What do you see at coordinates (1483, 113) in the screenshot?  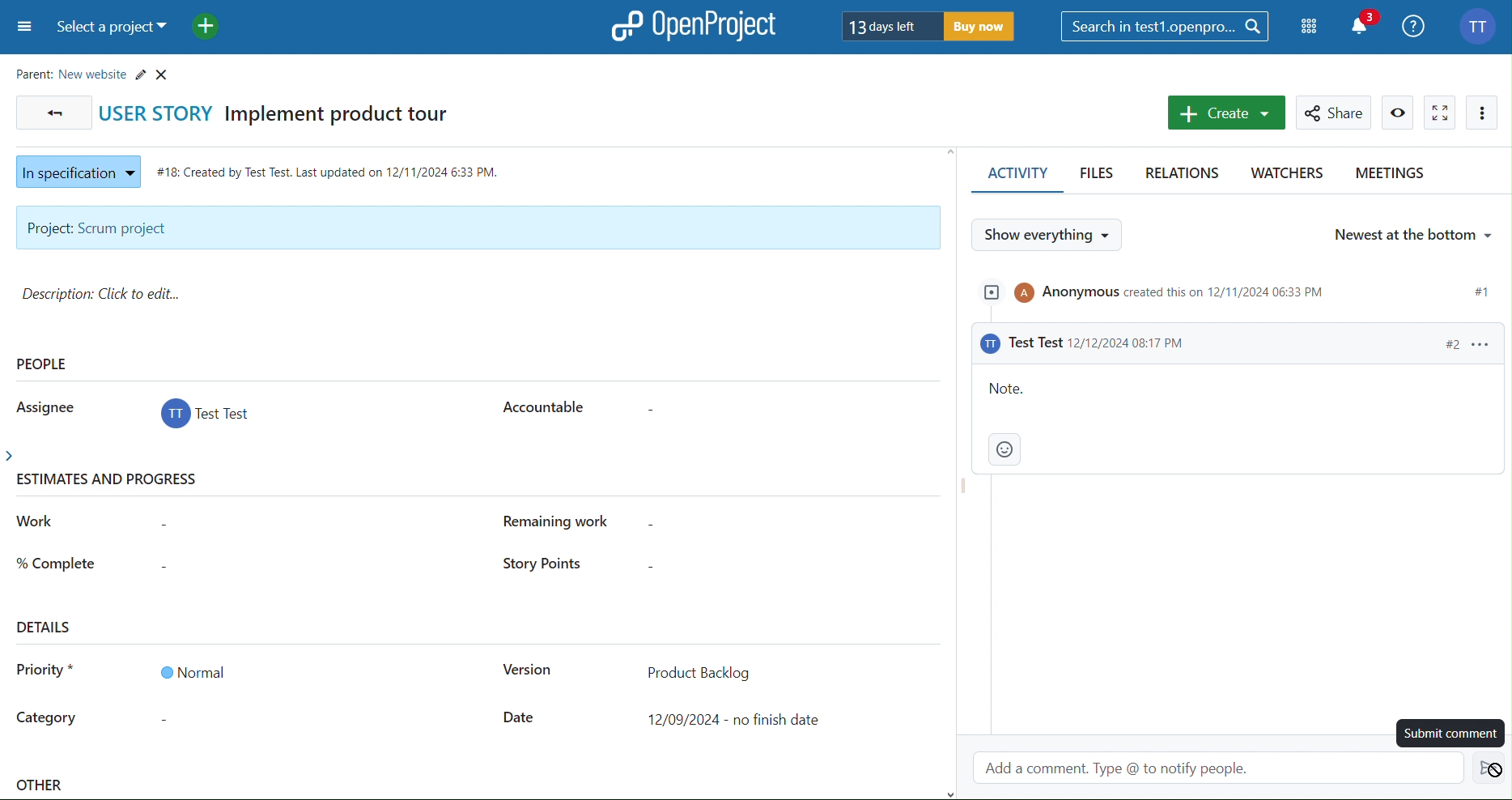 I see `More` at bounding box center [1483, 113].